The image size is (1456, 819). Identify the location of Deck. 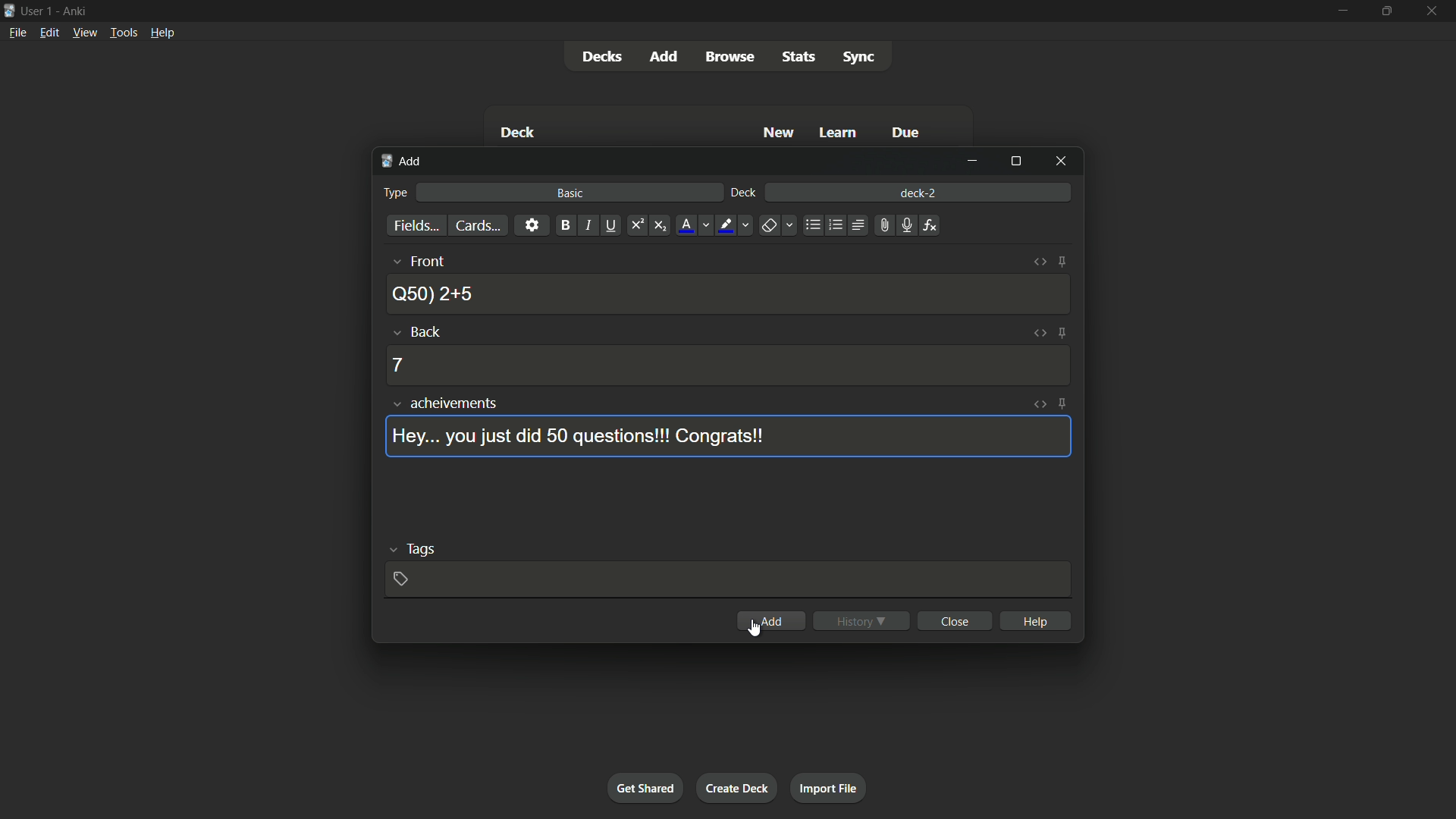
(516, 132).